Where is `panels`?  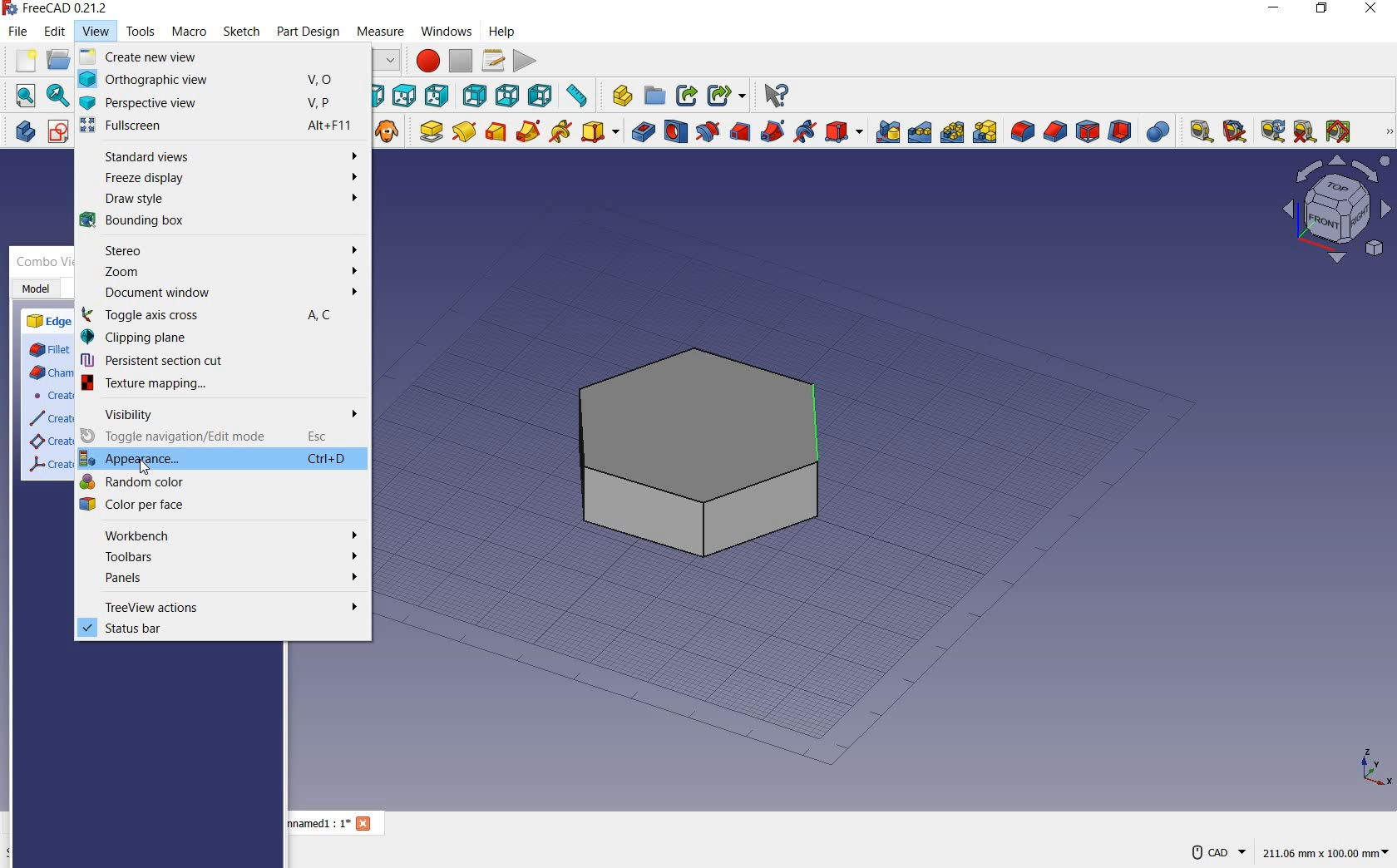 panels is located at coordinates (215, 580).